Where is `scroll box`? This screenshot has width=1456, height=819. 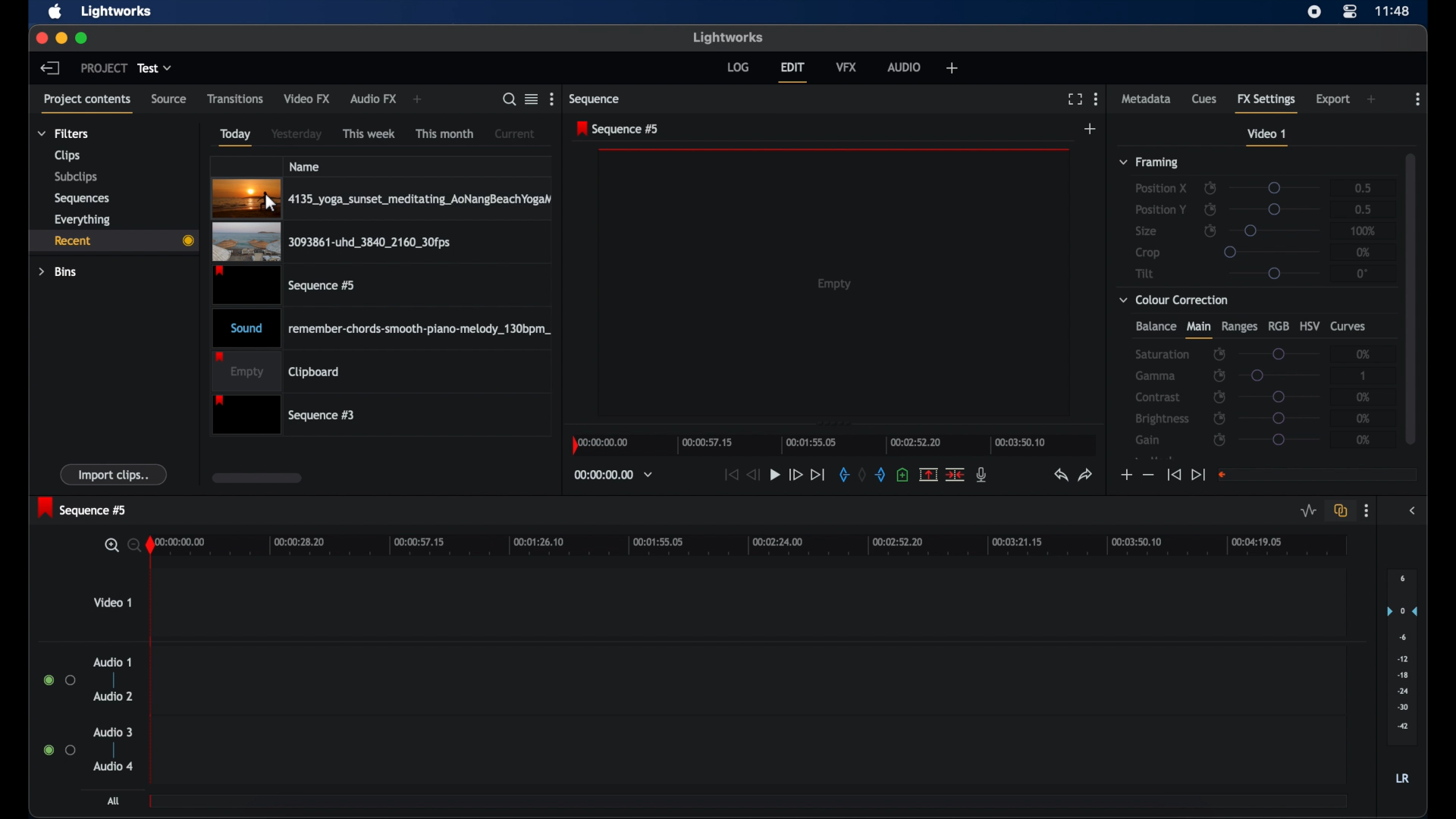 scroll box is located at coordinates (1411, 297).